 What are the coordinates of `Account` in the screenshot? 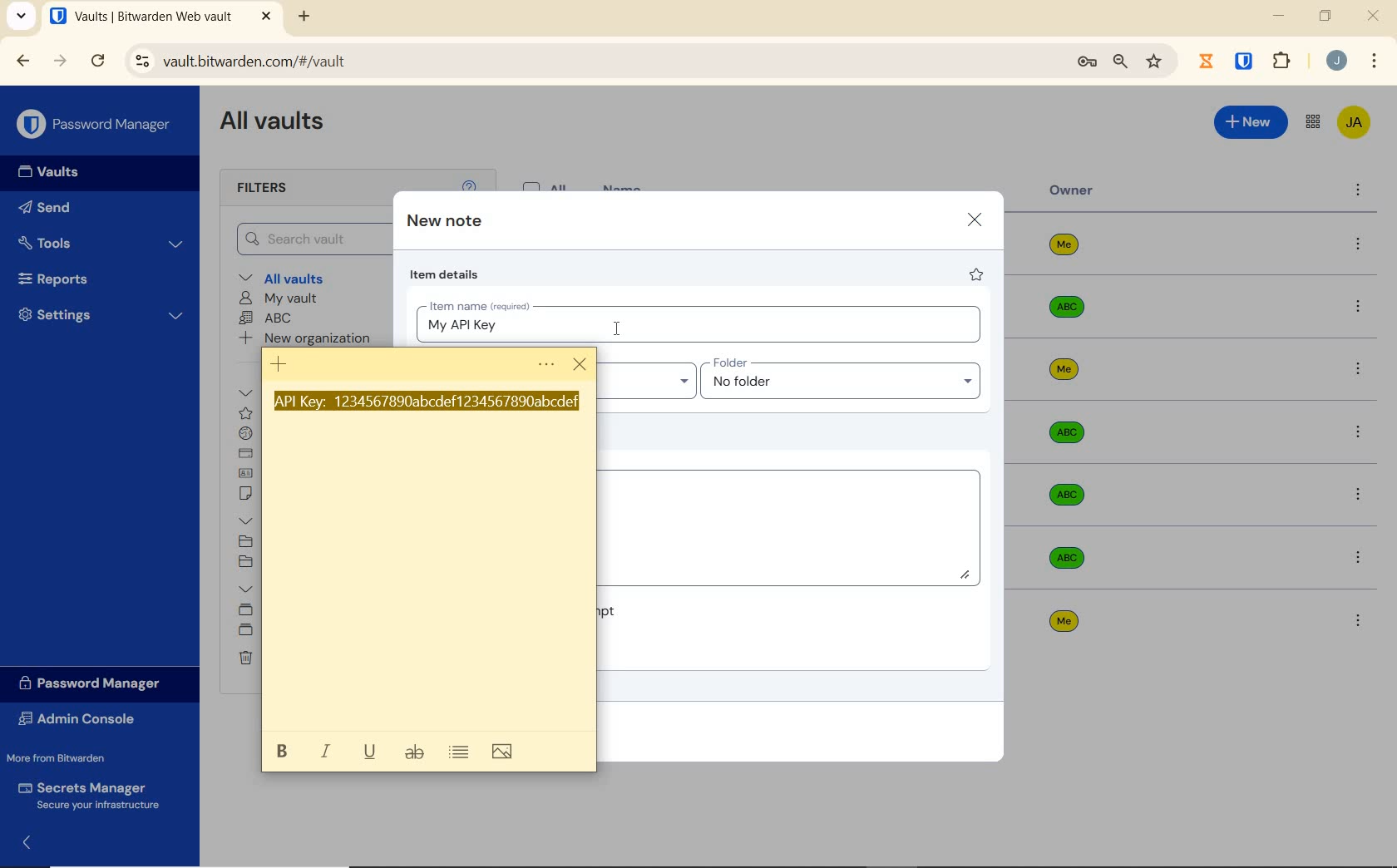 It's located at (1337, 62).